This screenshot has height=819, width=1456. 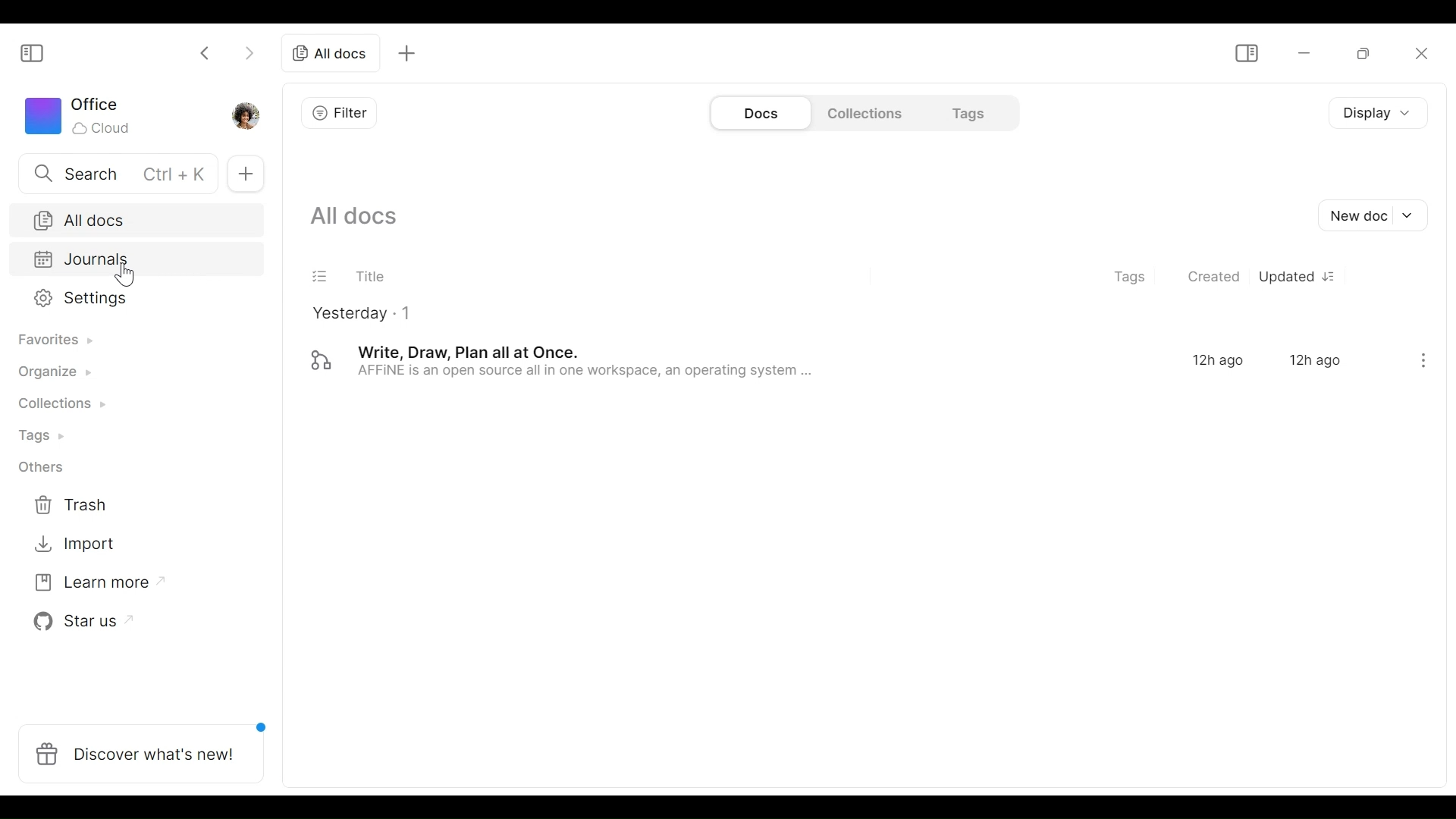 What do you see at coordinates (1368, 214) in the screenshot?
I see `New Document` at bounding box center [1368, 214].